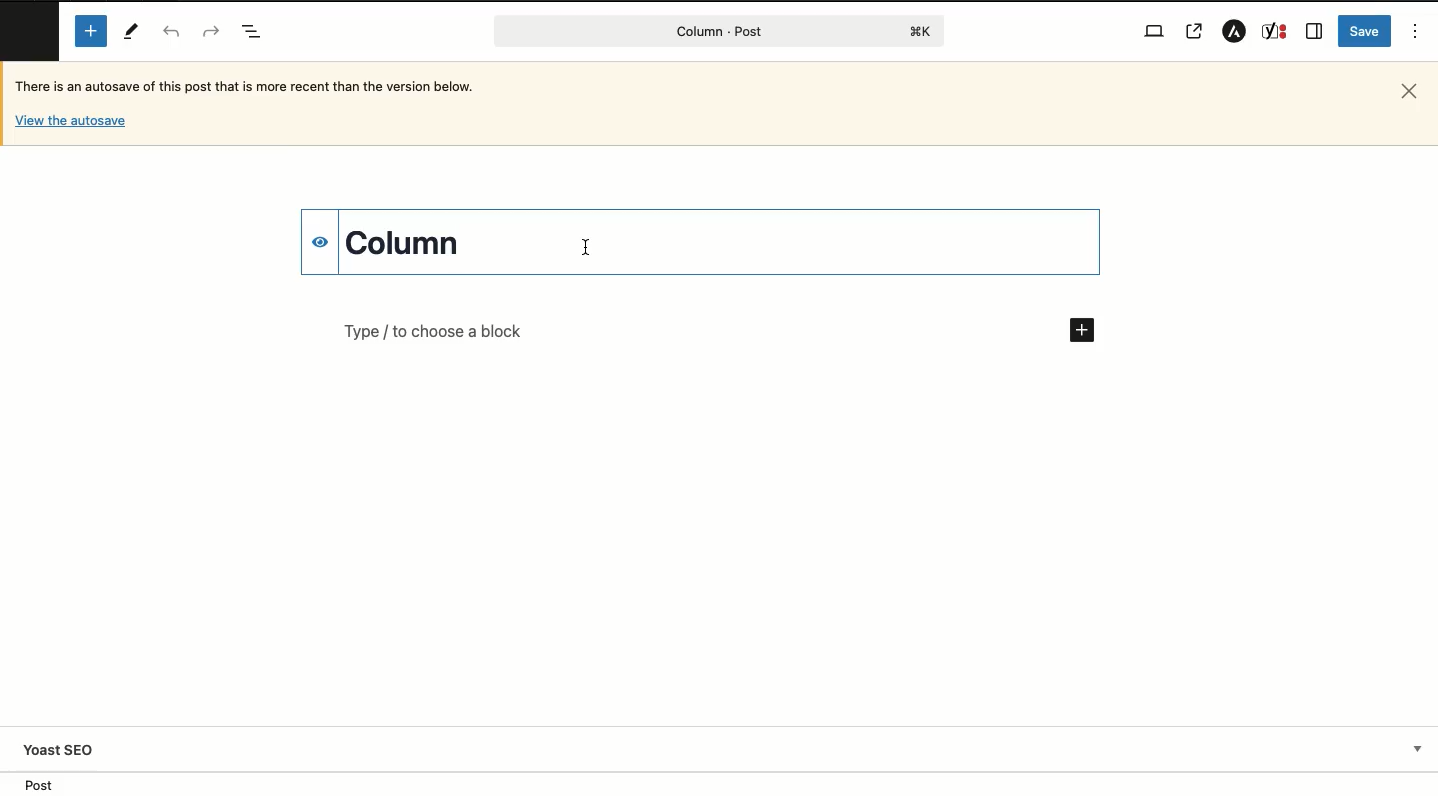  Describe the element at coordinates (1365, 31) in the screenshot. I see `Save` at that location.